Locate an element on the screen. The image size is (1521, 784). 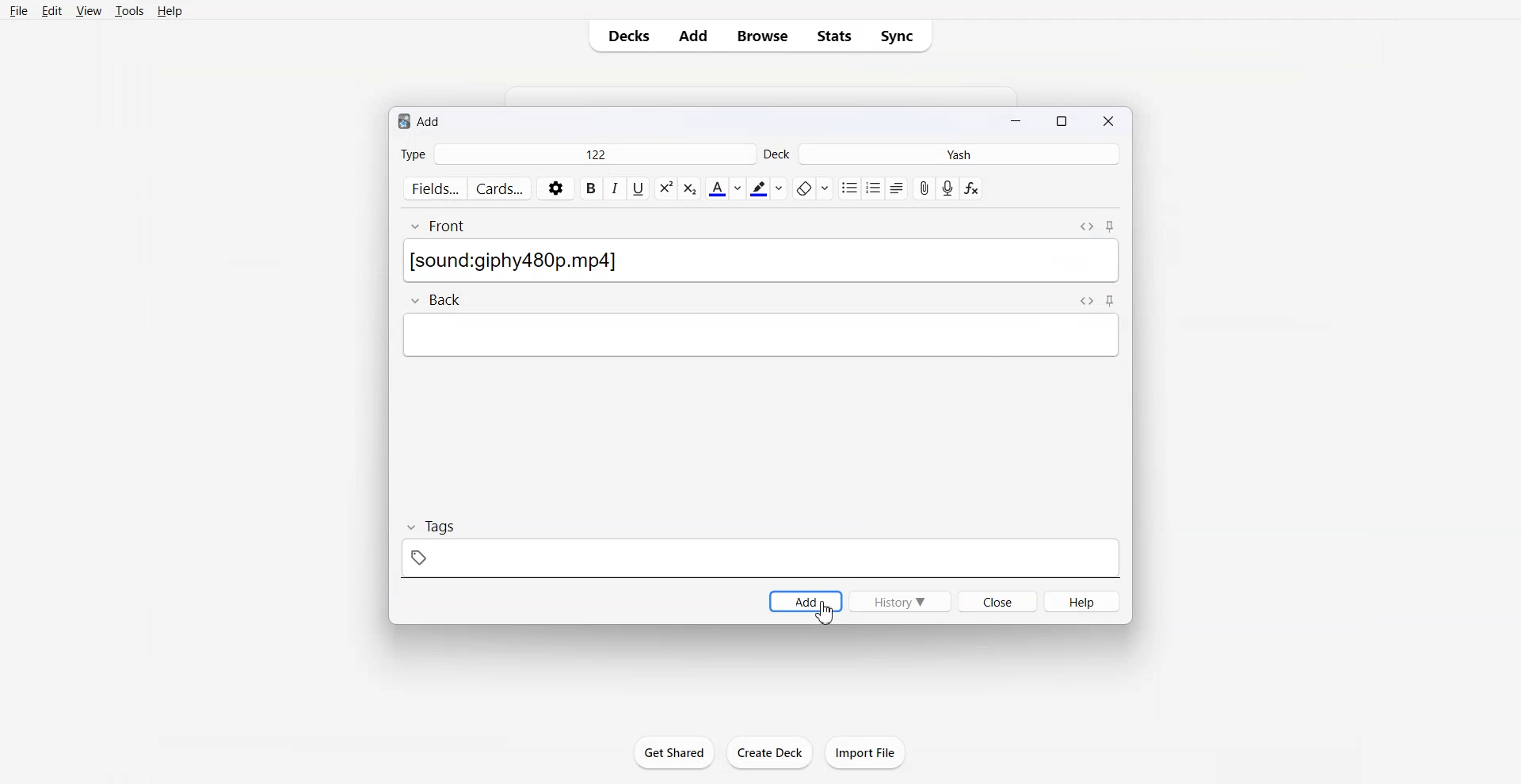
Italic is located at coordinates (616, 188).